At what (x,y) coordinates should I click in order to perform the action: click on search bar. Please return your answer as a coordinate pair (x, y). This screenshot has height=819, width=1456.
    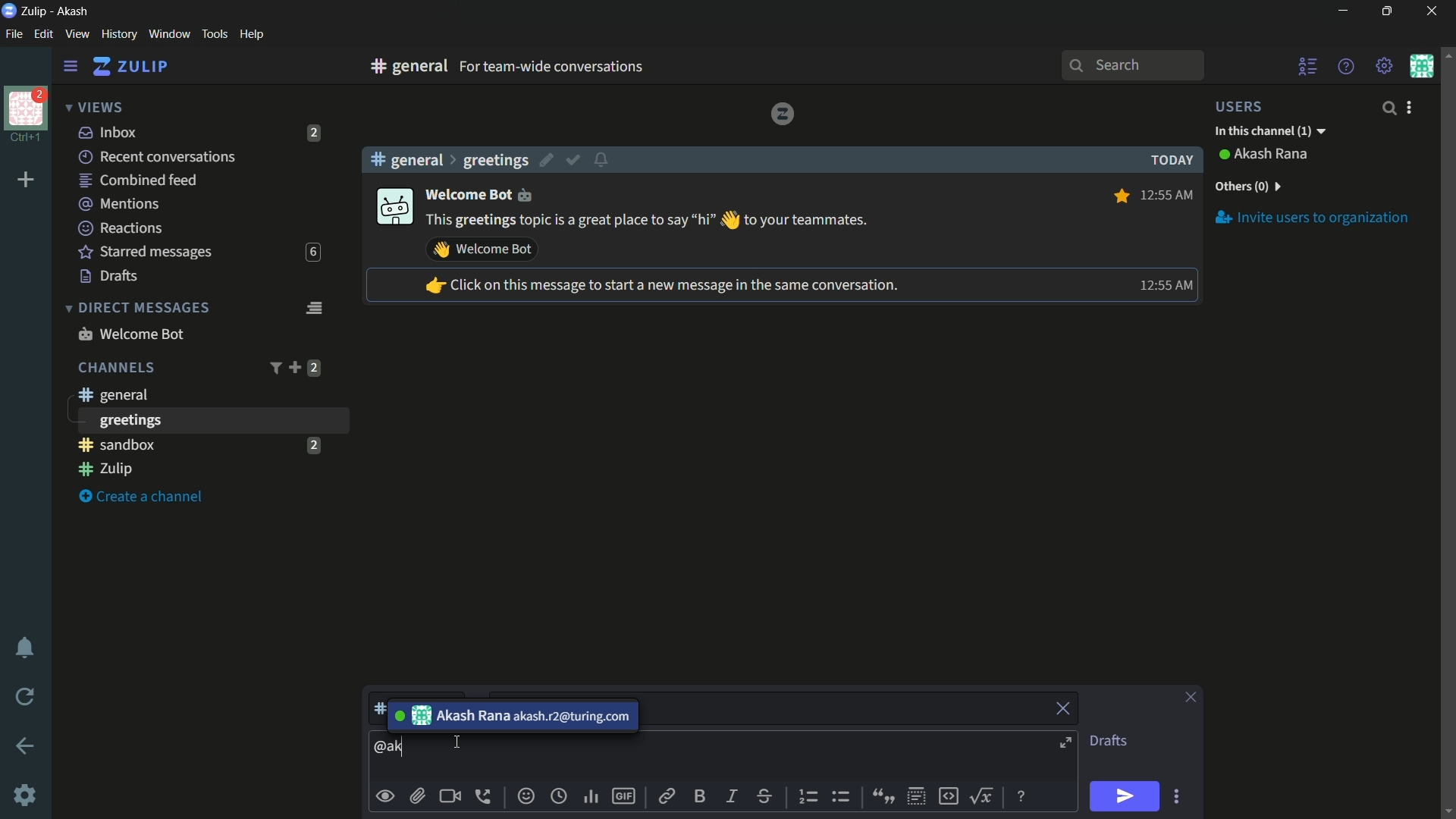
    Looking at the image, I should click on (1132, 65).